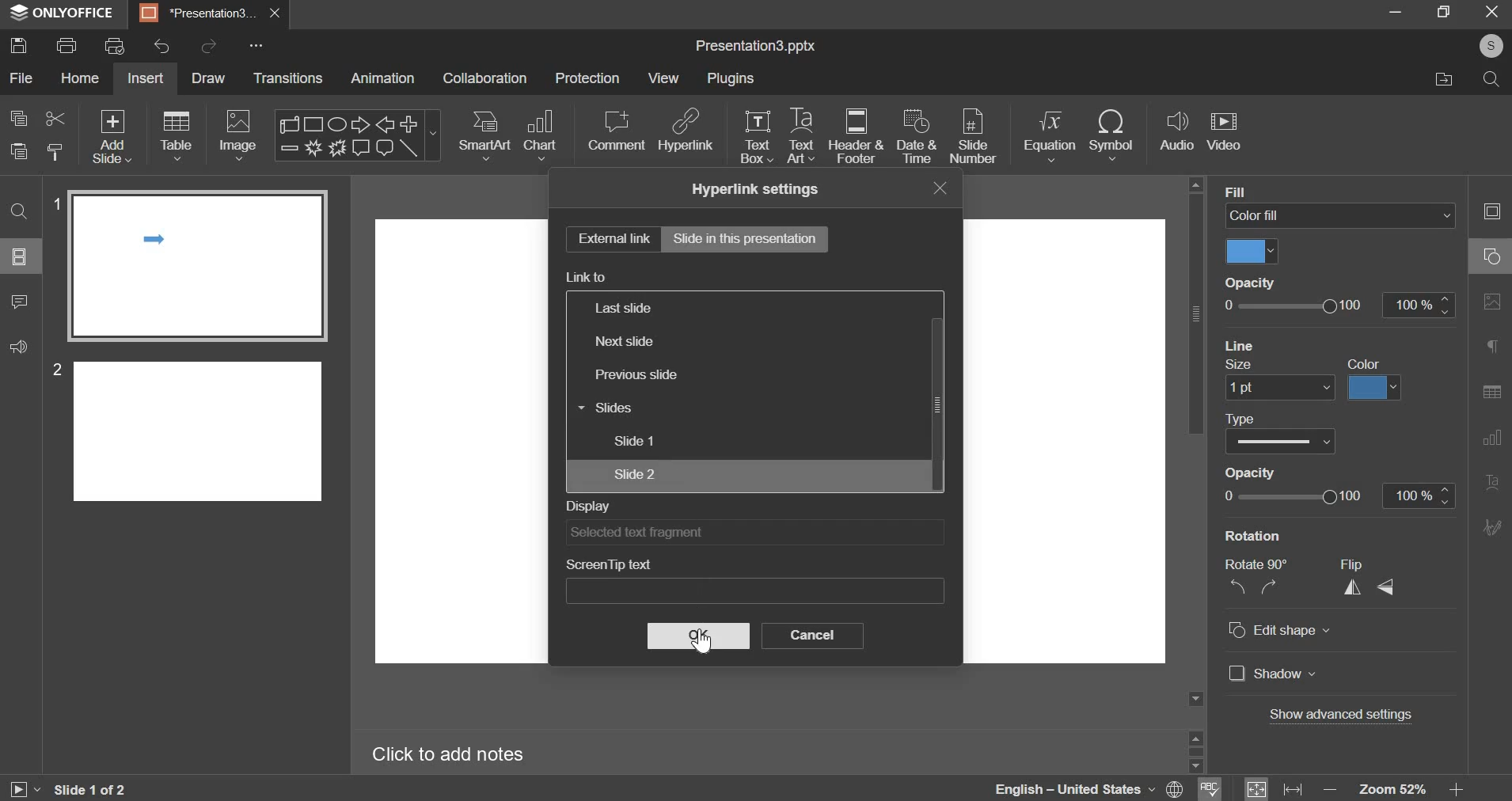 The image size is (1512, 801). What do you see at coordinates (1256, 564) in the screenshot?
I see `rotate 90` at bounding box center [1256, 564].